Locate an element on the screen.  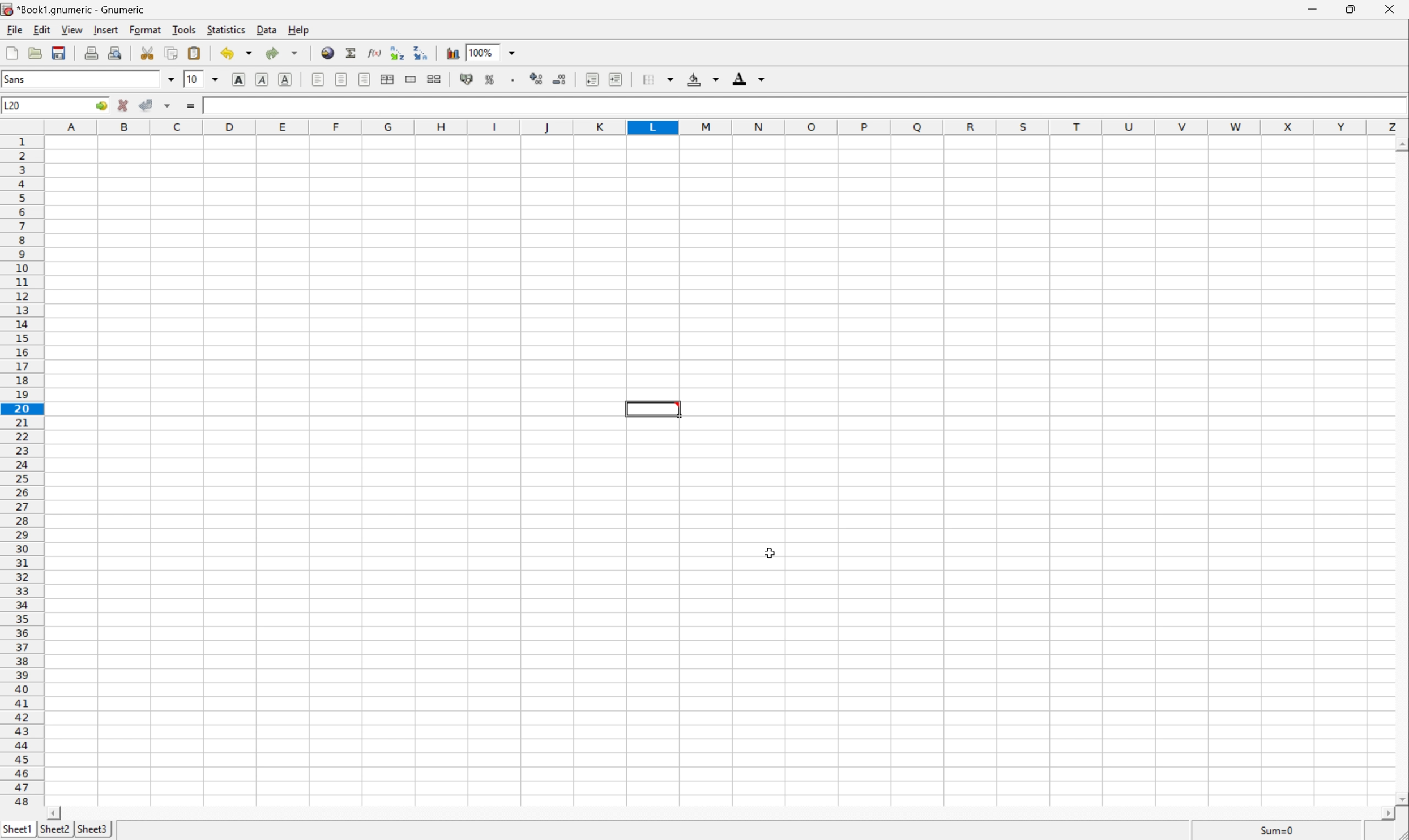
Set the format of the selected cells to include a thousands separator is located at coordinates (514, 79).